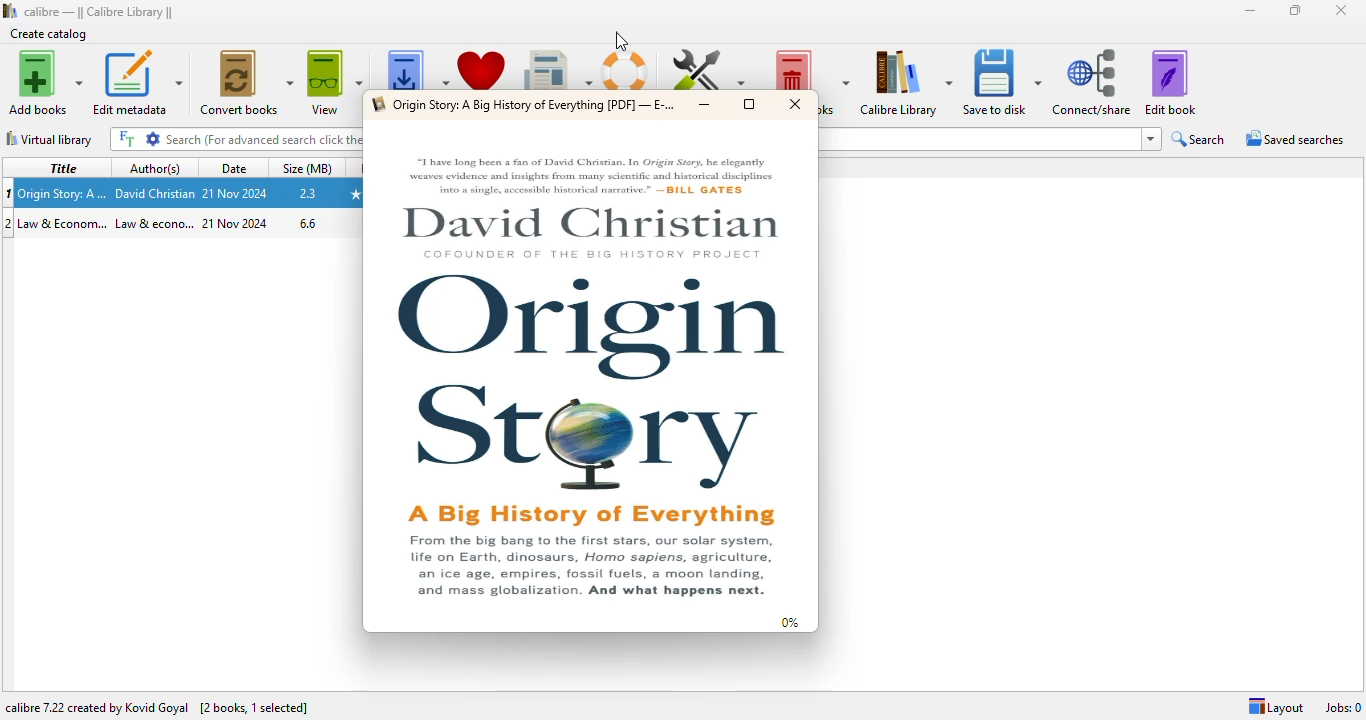 The width and height of the screenshot is (1366, 720). What do you see at coordinates (590, 255) in the screenshot?
I see `cofounder of the big history project` at bounding box center [590, 255].